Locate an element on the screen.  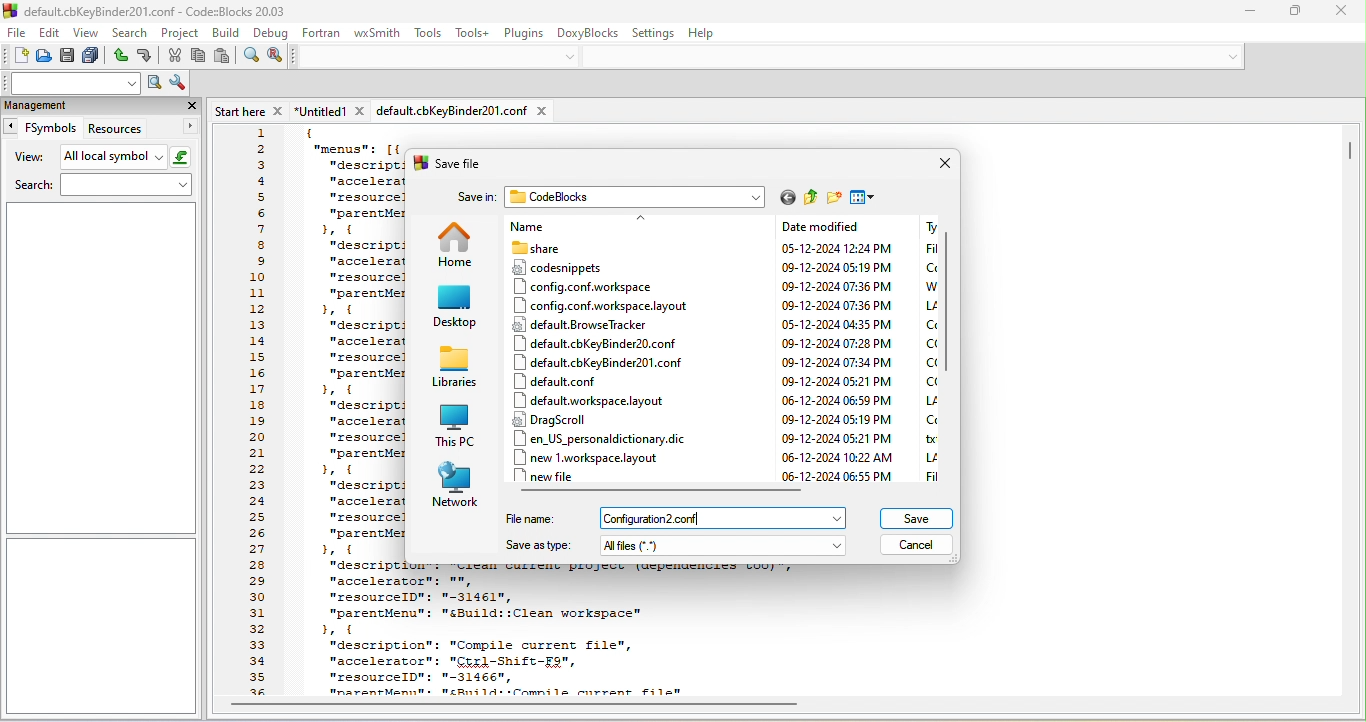
save in is located at coordinates (474, 197).